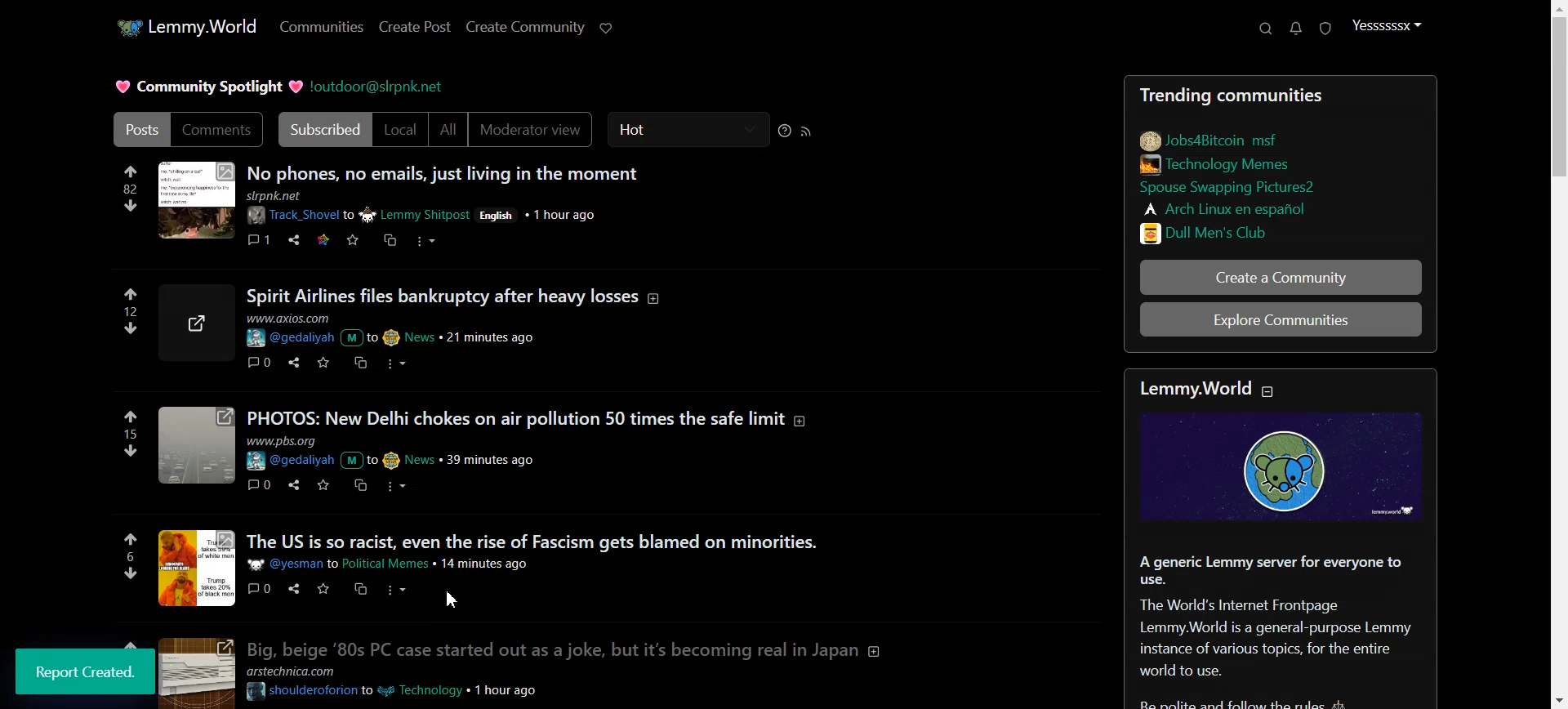  What do you see at coordinates (1324, 28) in the screenshot?
I see `Unread report` at bounding box center [1324, 28].